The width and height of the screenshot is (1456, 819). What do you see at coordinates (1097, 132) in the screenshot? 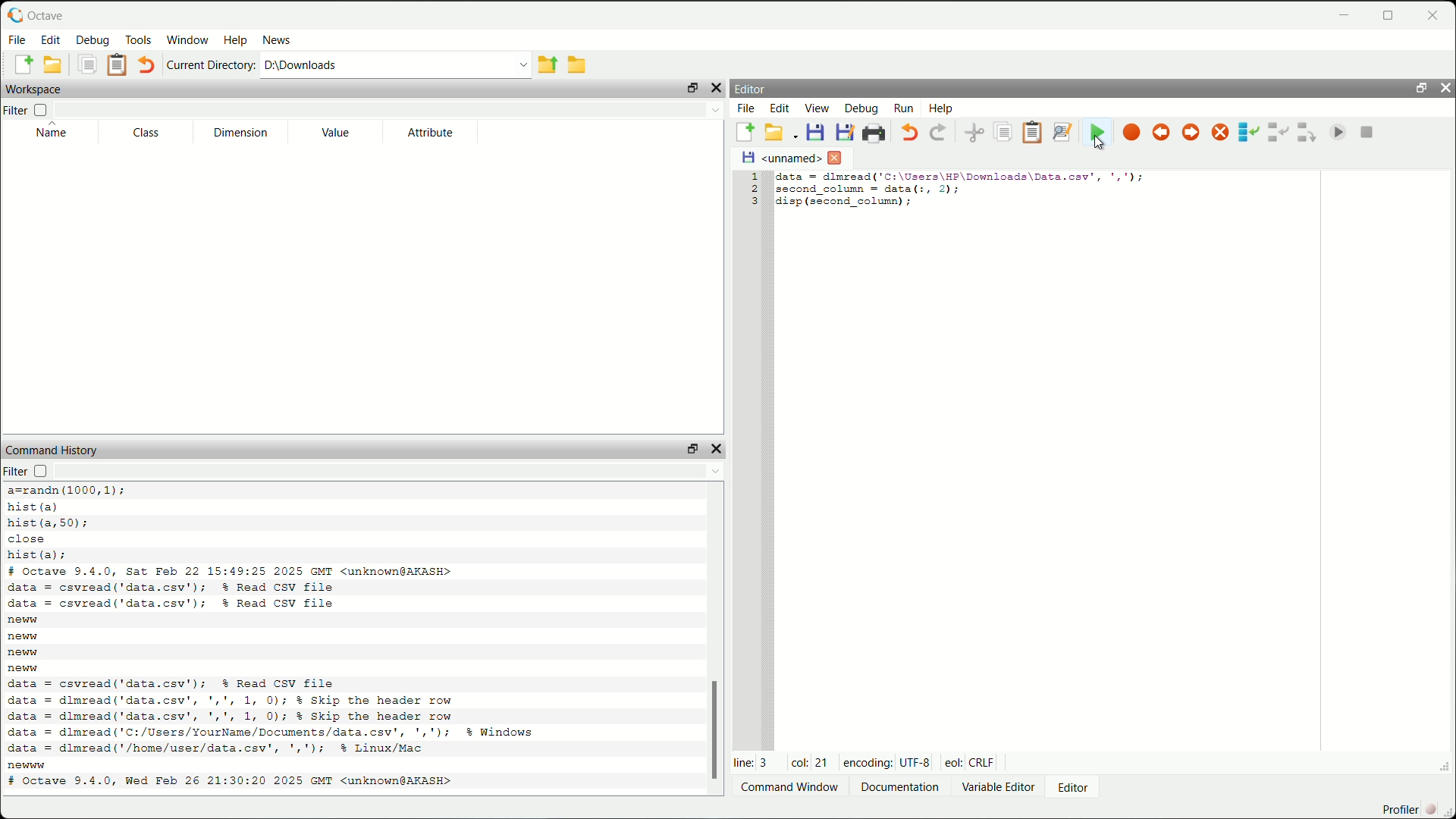
I see `save file and run/continue` at bounding box center [1097, 132].